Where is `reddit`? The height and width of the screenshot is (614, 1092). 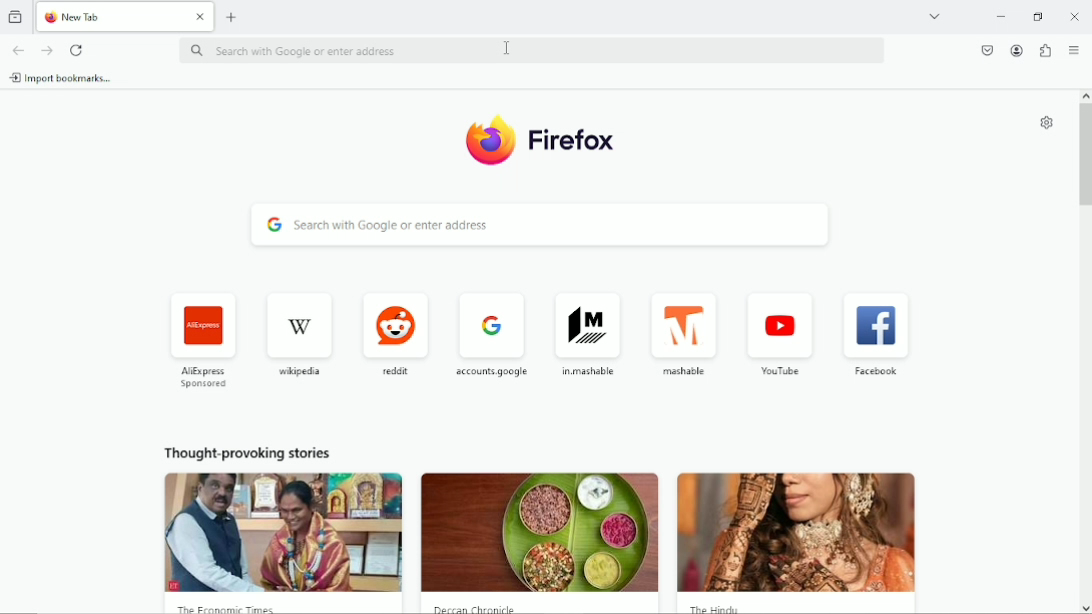 reddit is located at coordinates (395, 332).